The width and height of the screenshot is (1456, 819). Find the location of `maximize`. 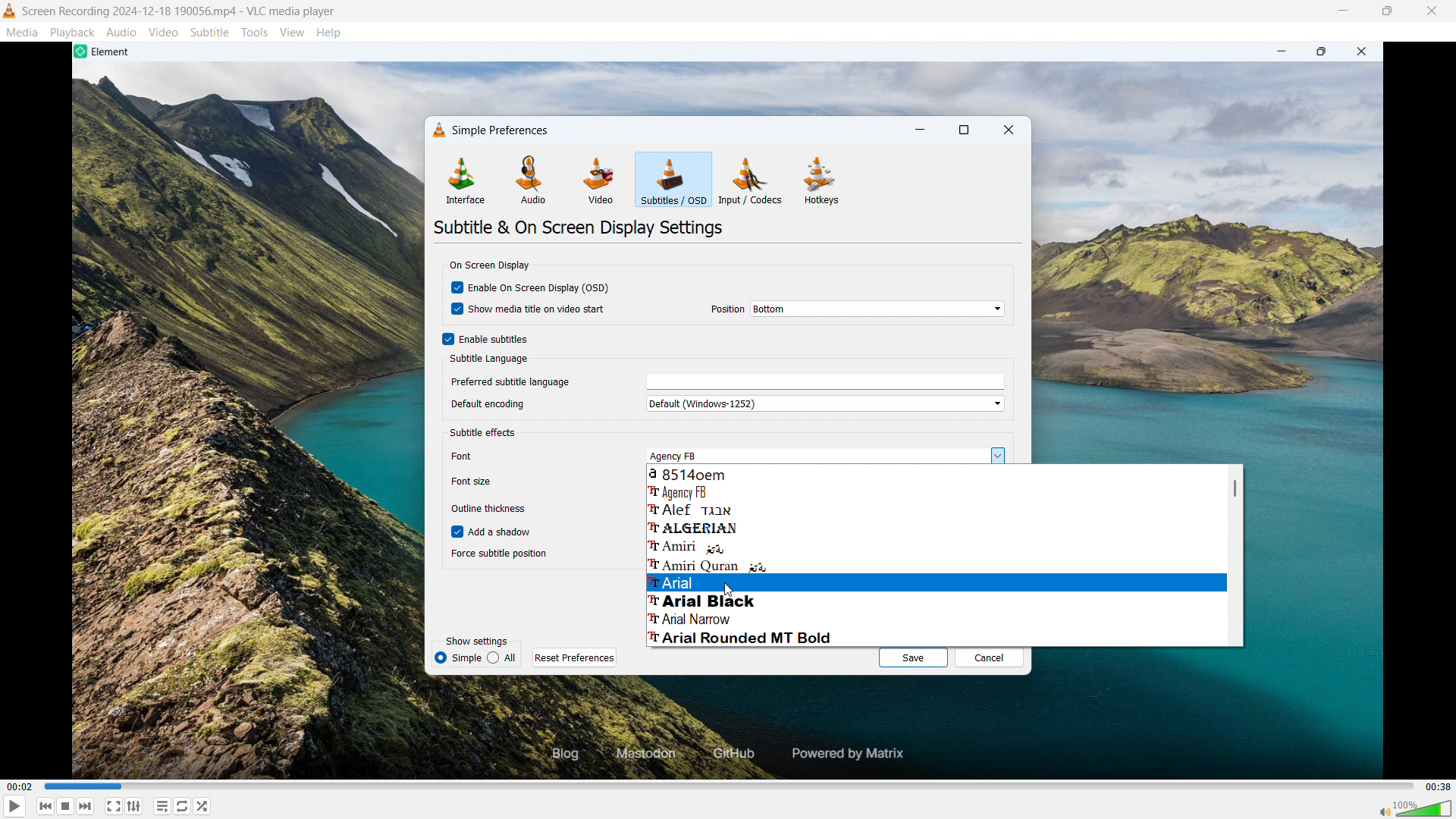

maximize is located at coordinates (963, 131).